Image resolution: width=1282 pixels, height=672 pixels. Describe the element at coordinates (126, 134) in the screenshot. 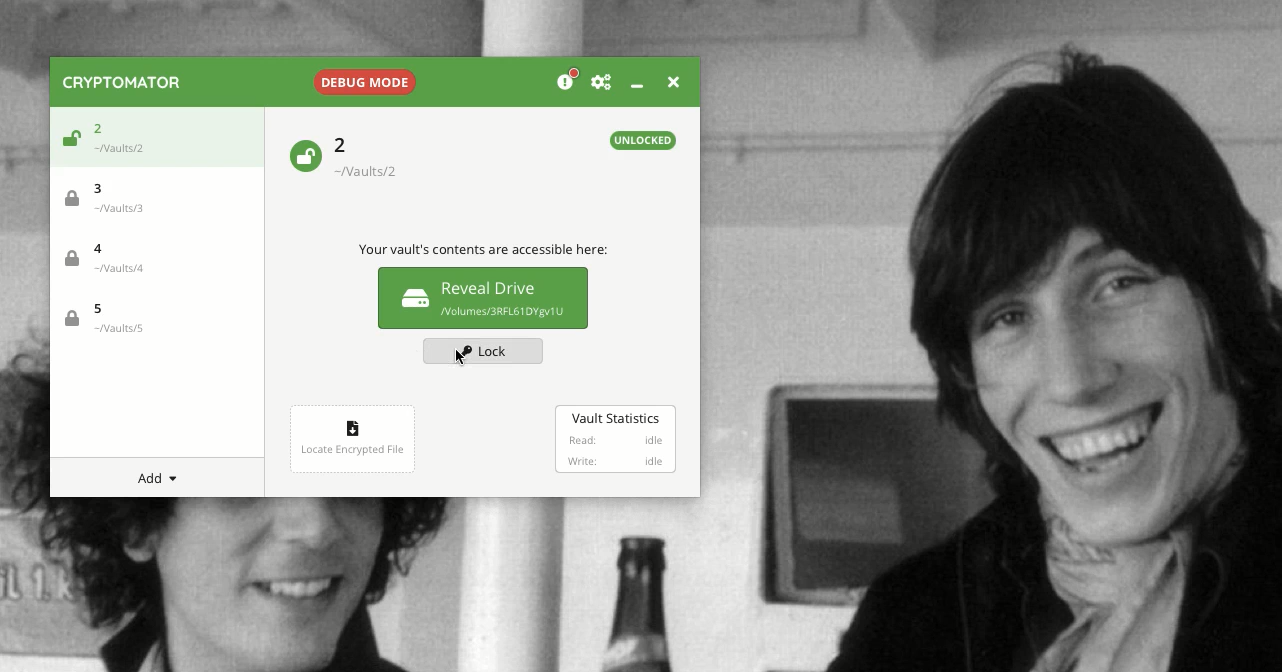

I see `Vault 2` at that location.